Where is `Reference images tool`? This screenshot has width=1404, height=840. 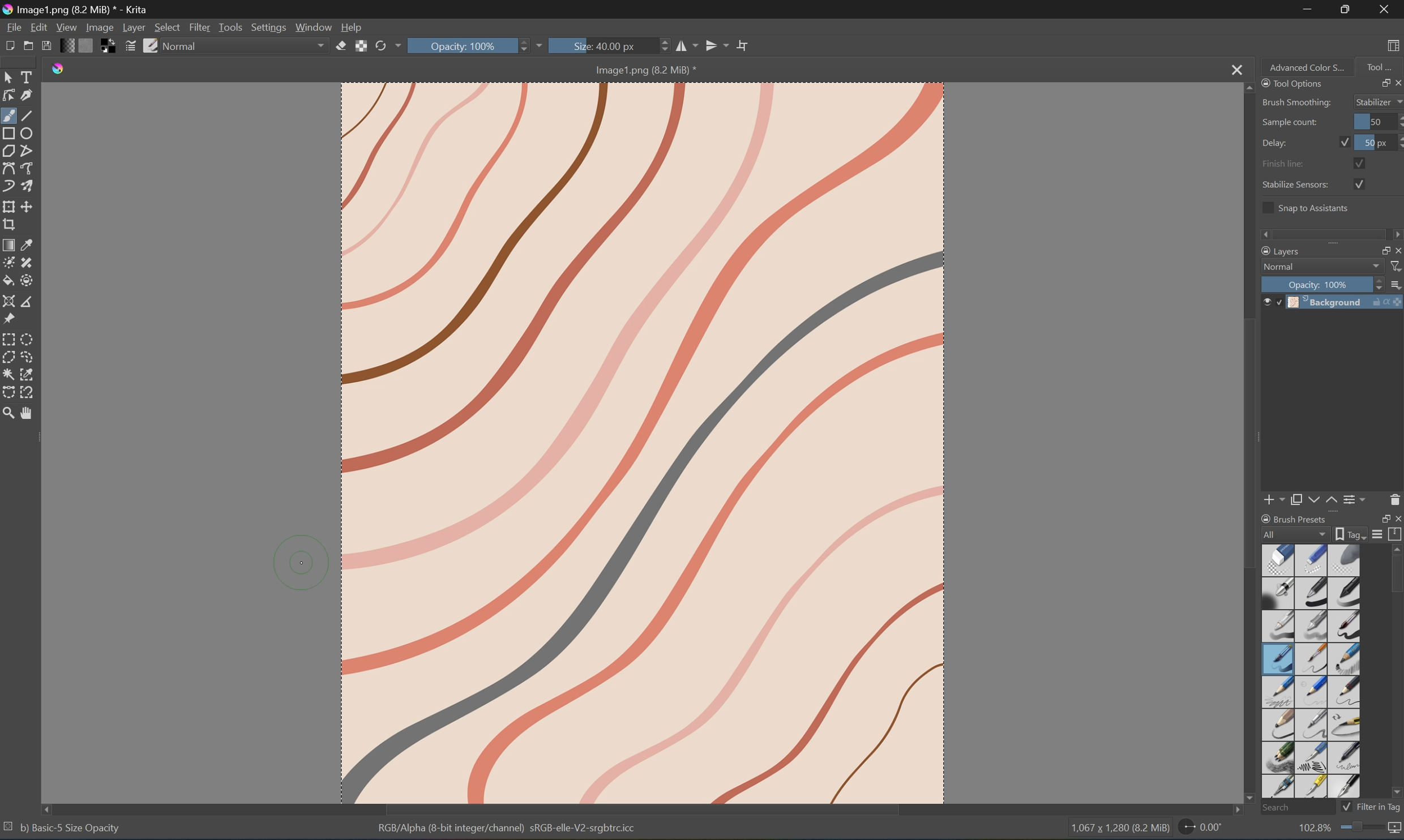 Reference images tool is located at coordinates (9, 320).